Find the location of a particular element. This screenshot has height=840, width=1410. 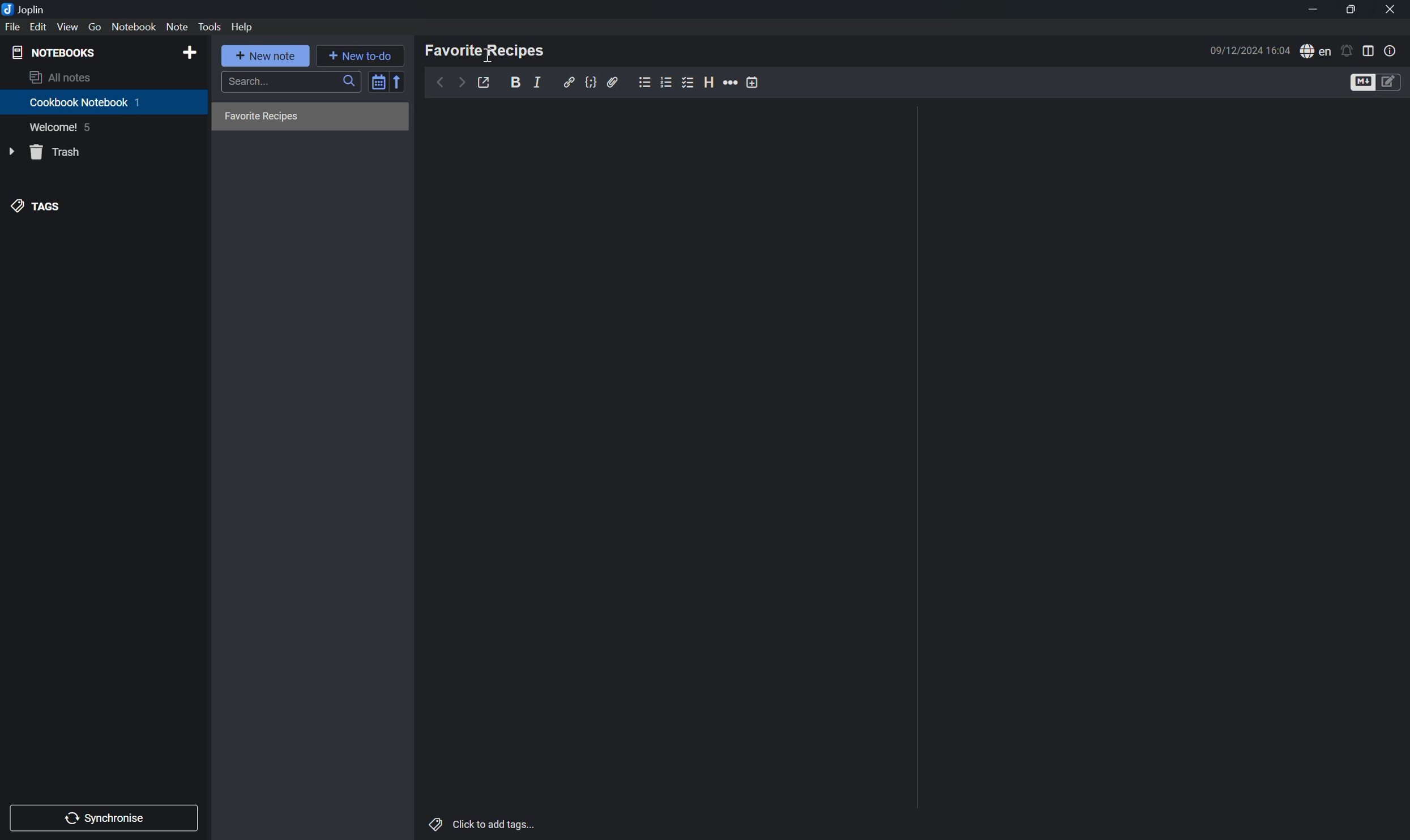

Checkbox List is located at coordinates (689, 84).